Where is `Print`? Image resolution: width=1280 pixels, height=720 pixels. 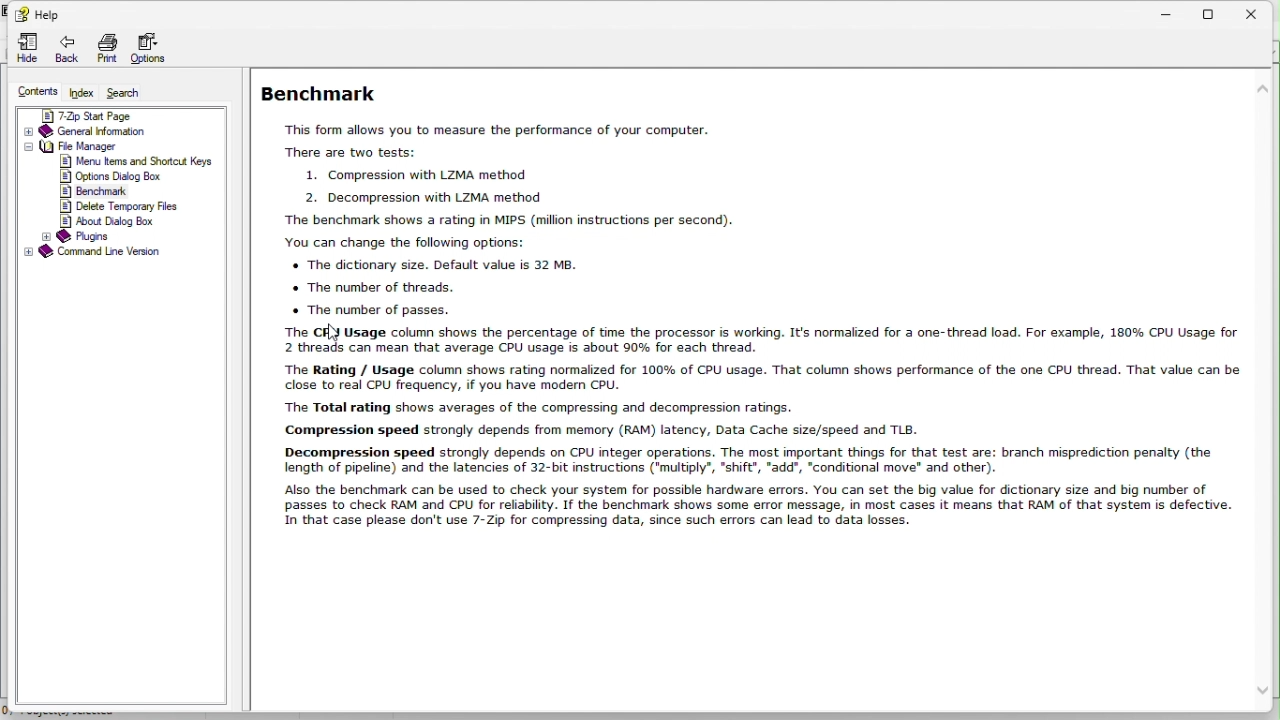
Print is located at coordinates (103, 45).